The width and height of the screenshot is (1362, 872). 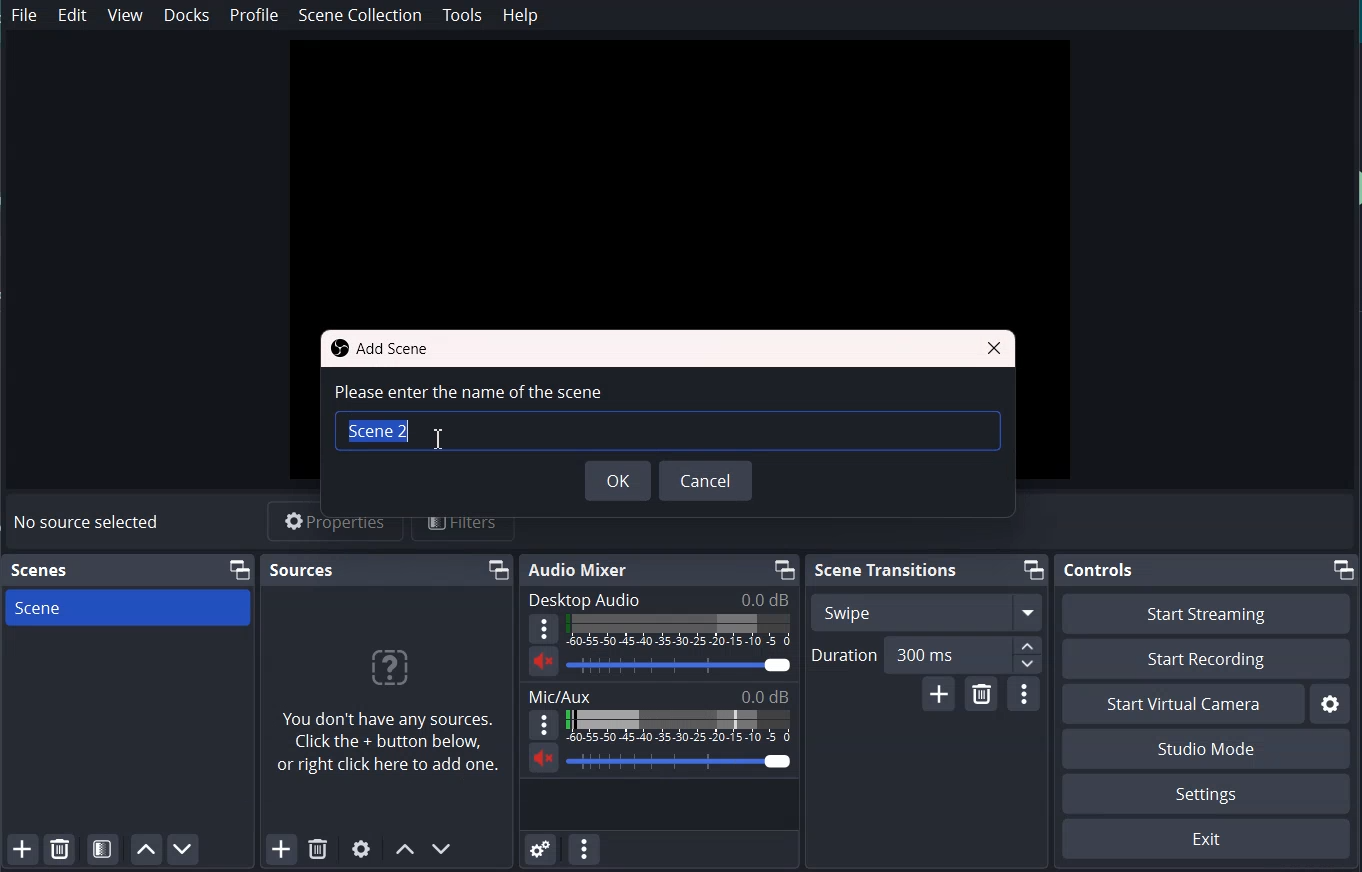 I want to click on Maximize, so click(x=1345, y=569).